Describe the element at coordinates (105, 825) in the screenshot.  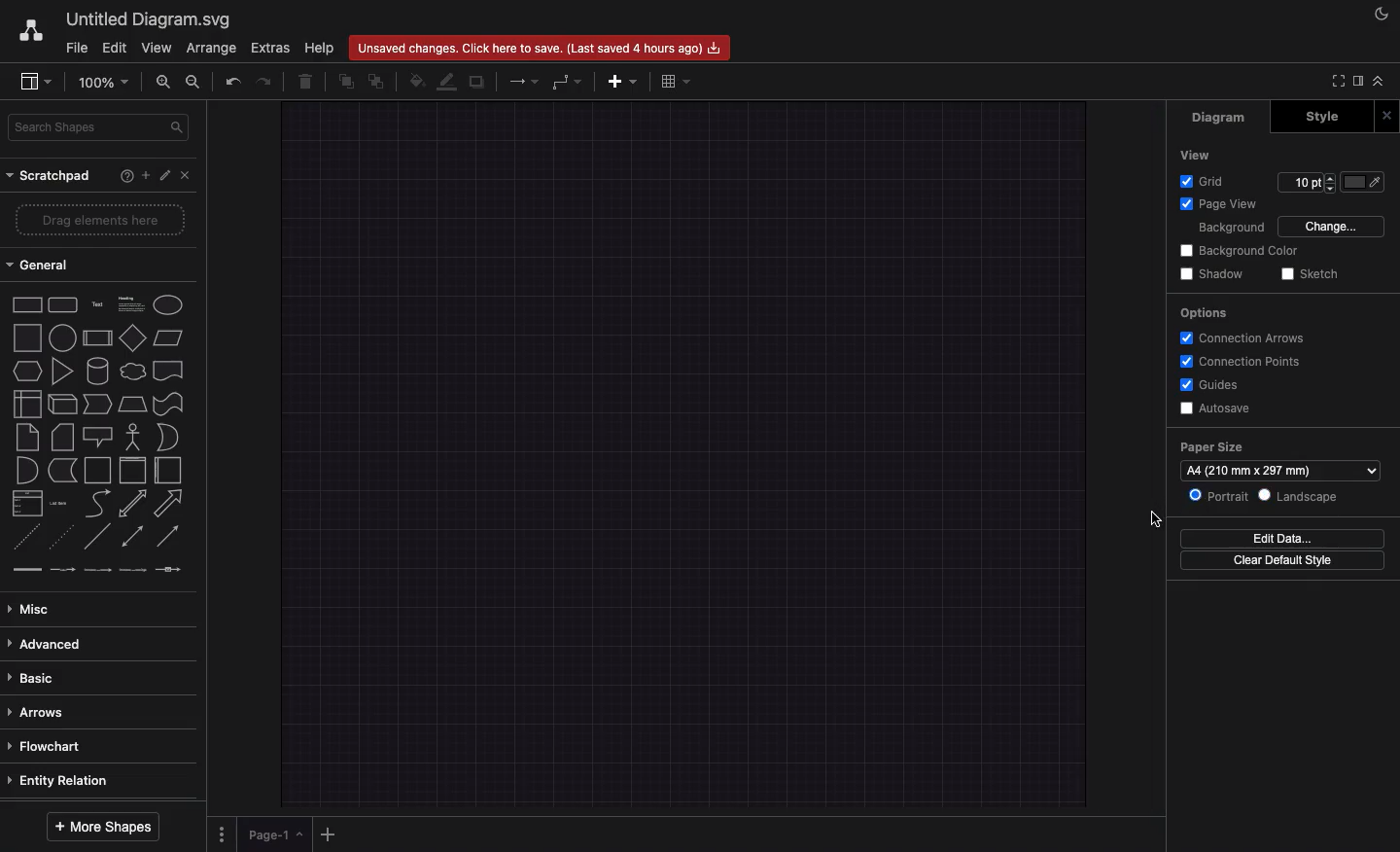
I see `More shapes` at that location.